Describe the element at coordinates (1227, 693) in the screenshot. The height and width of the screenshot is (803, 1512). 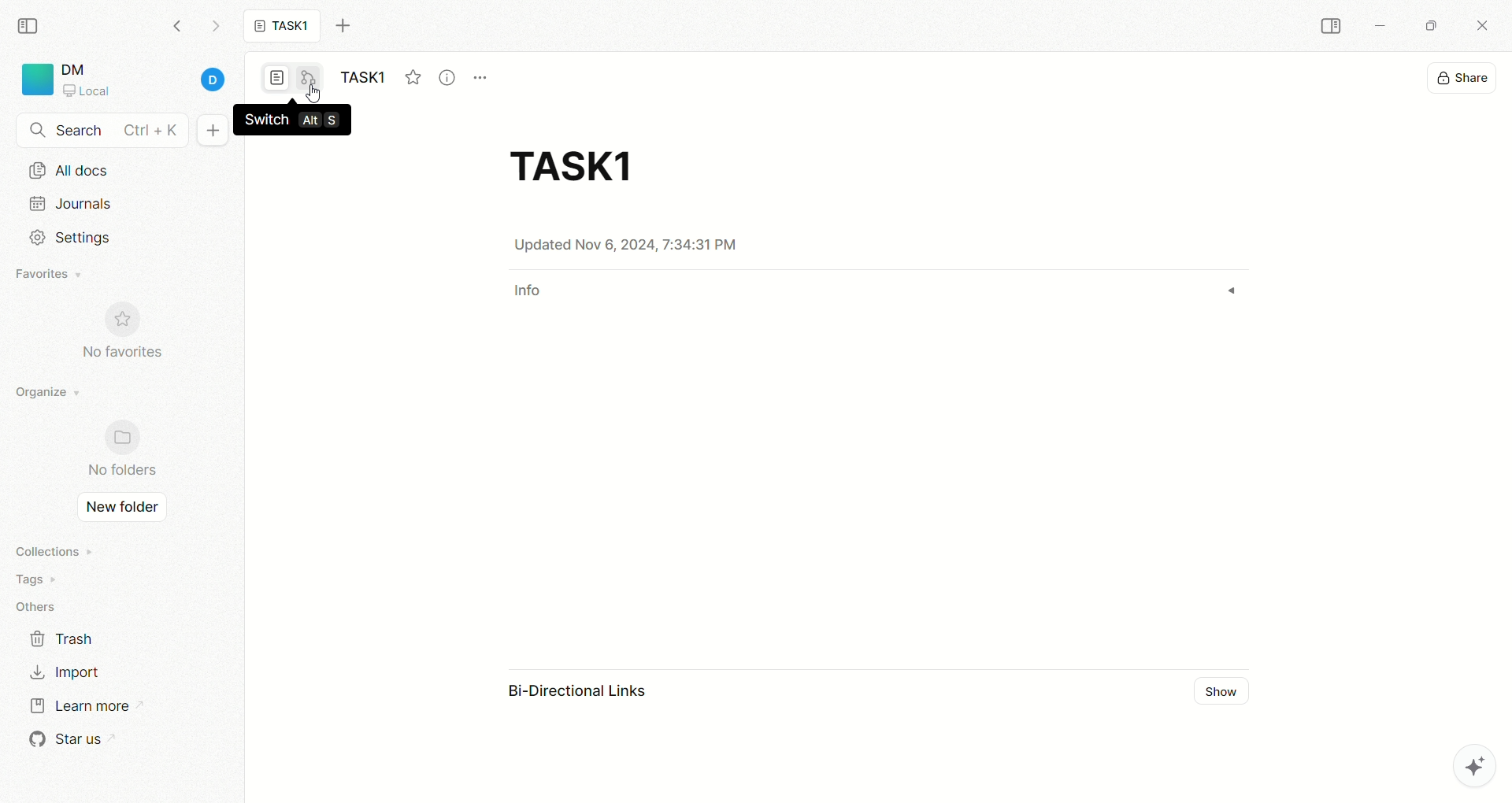
I see `show` at that location.